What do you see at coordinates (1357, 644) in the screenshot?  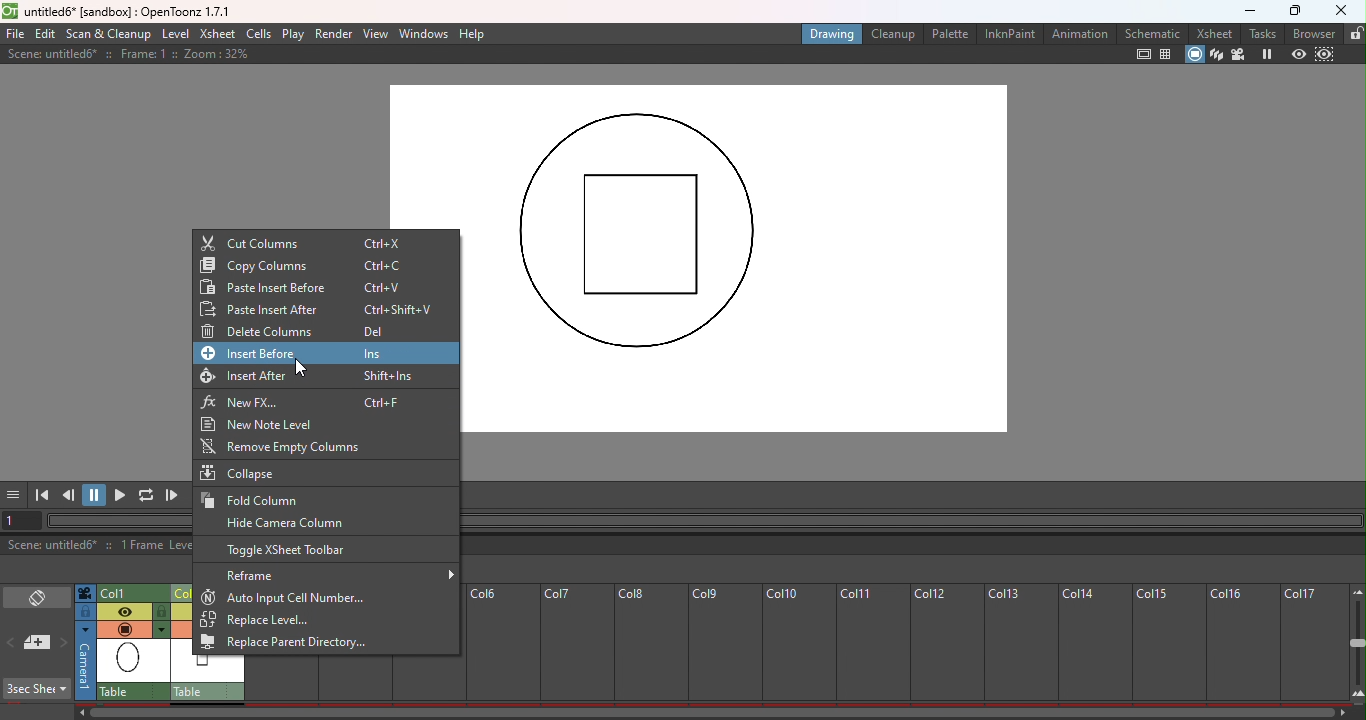 I see `Zoom in/out` at bounding box center [1357, 644].